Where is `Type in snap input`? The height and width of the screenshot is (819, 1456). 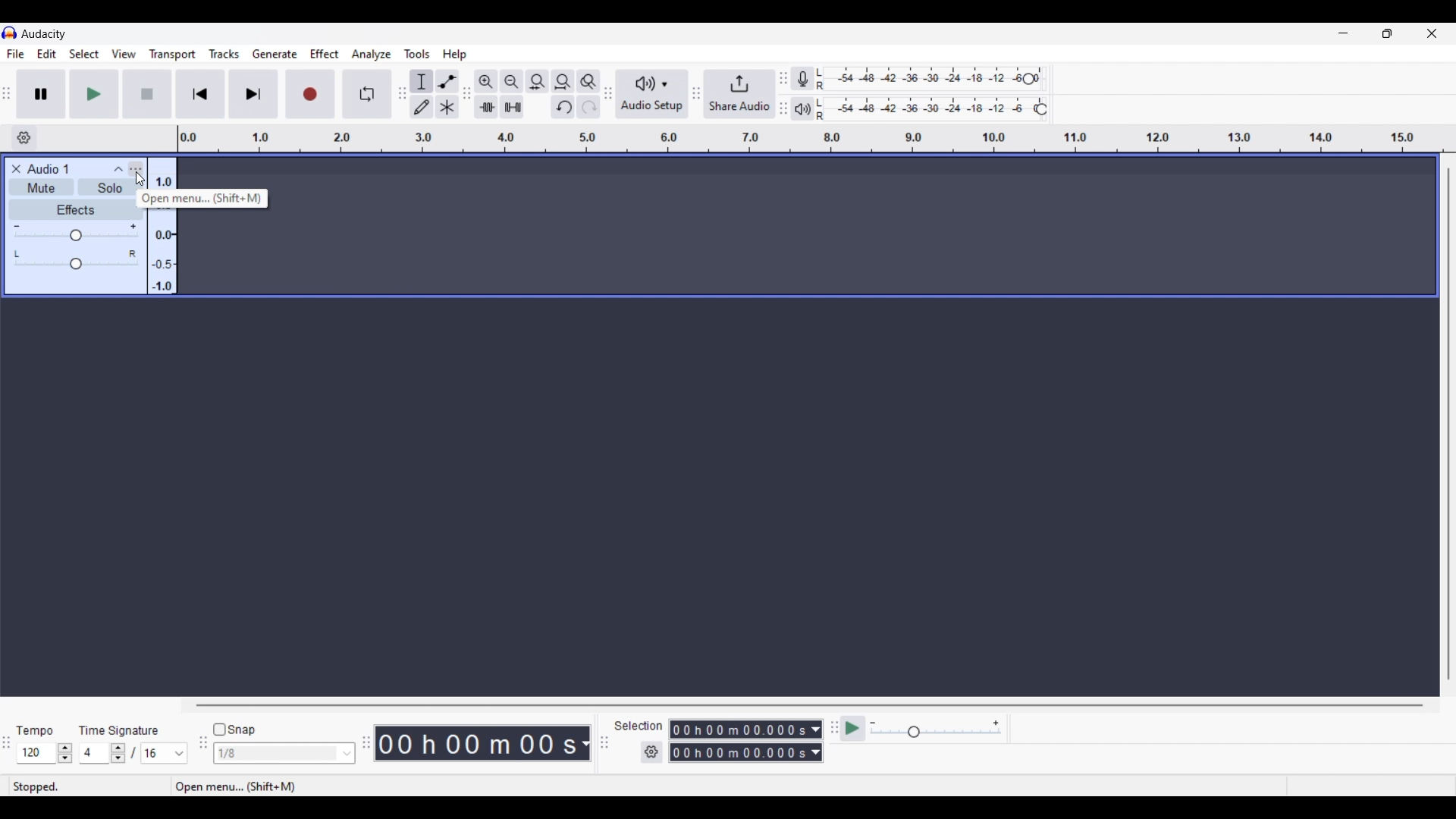 Type in snap input is located at coordinates (277, 754).